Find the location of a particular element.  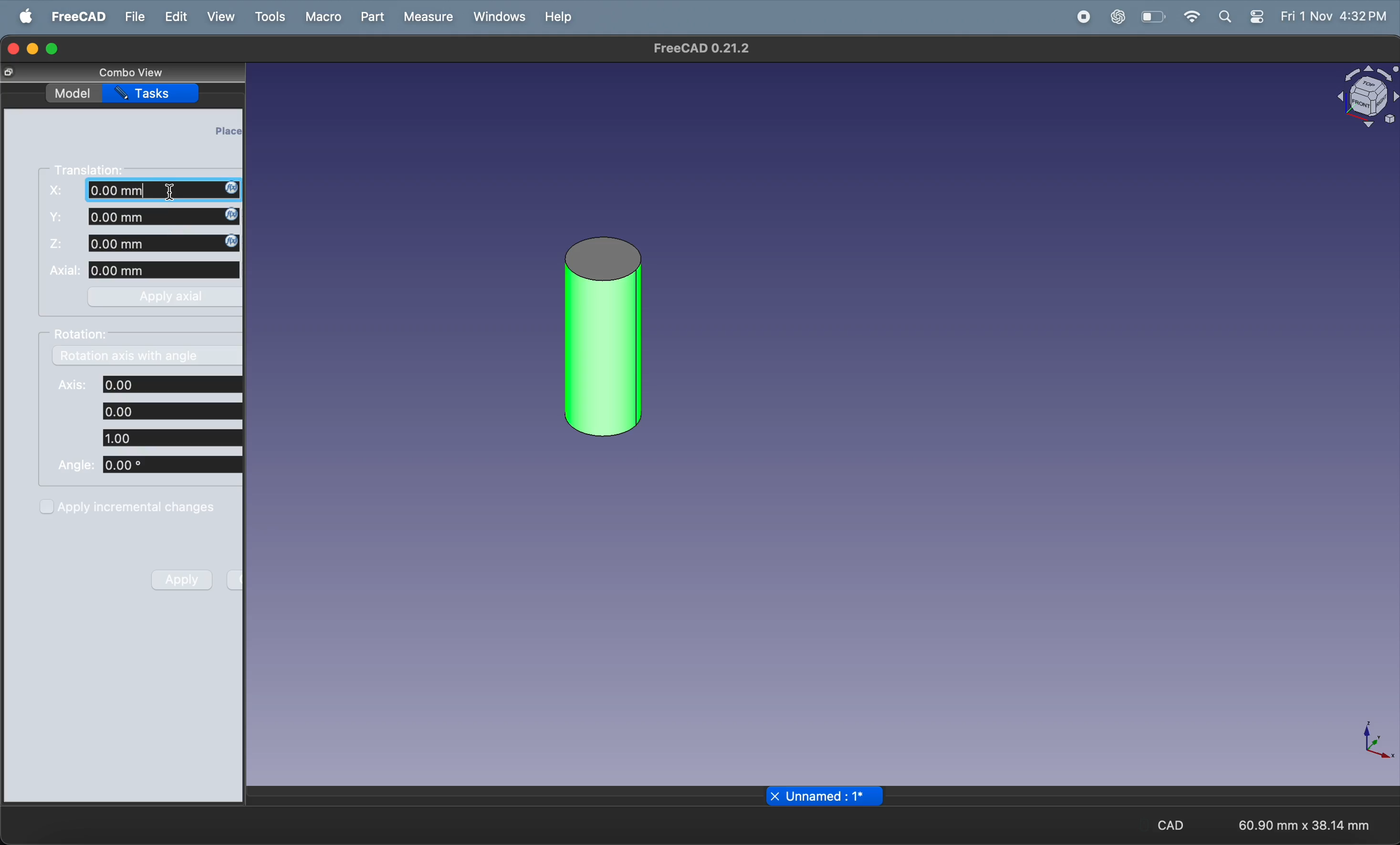

apply increment charges is located at coordinates (147, 508).